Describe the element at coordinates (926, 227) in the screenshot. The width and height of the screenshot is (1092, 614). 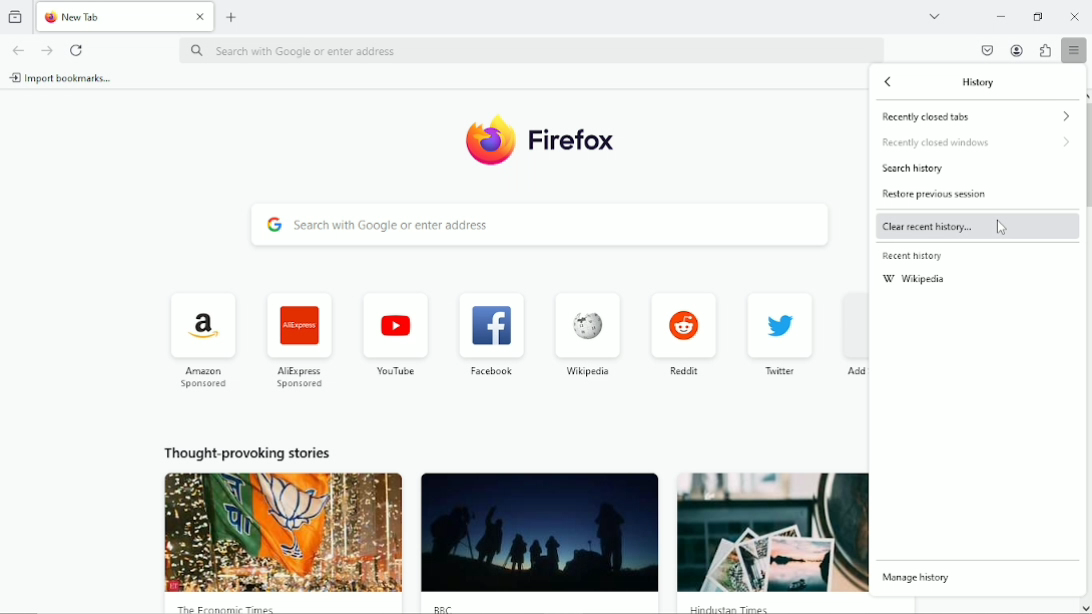
I see `Clear recent history...` at that location.